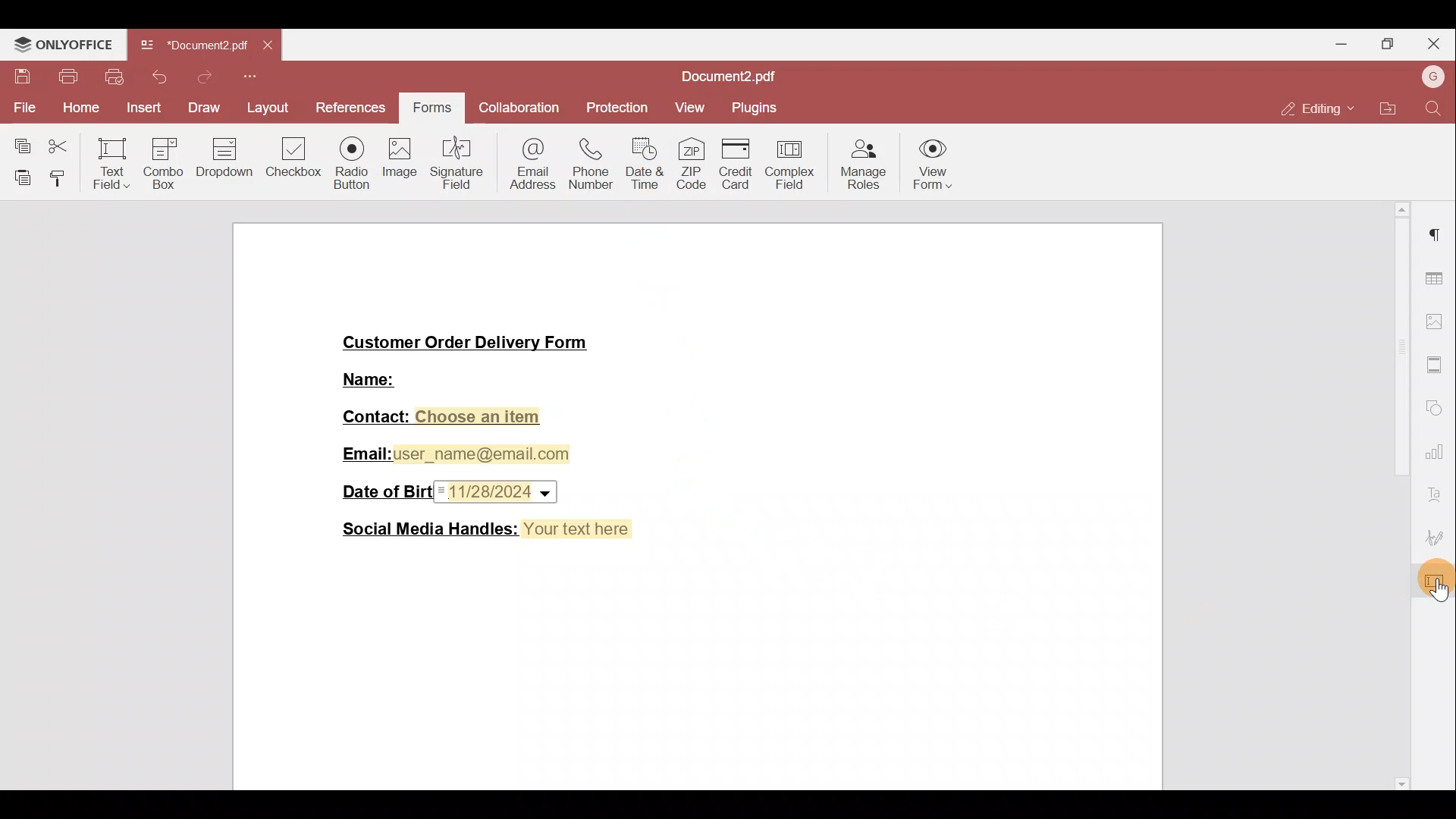 The height and width of the screenshot is (819, 1456). What do you see at coordinates (61, 176) in the screenshot?
I see `Copy style` at bounding box center [61, 176].